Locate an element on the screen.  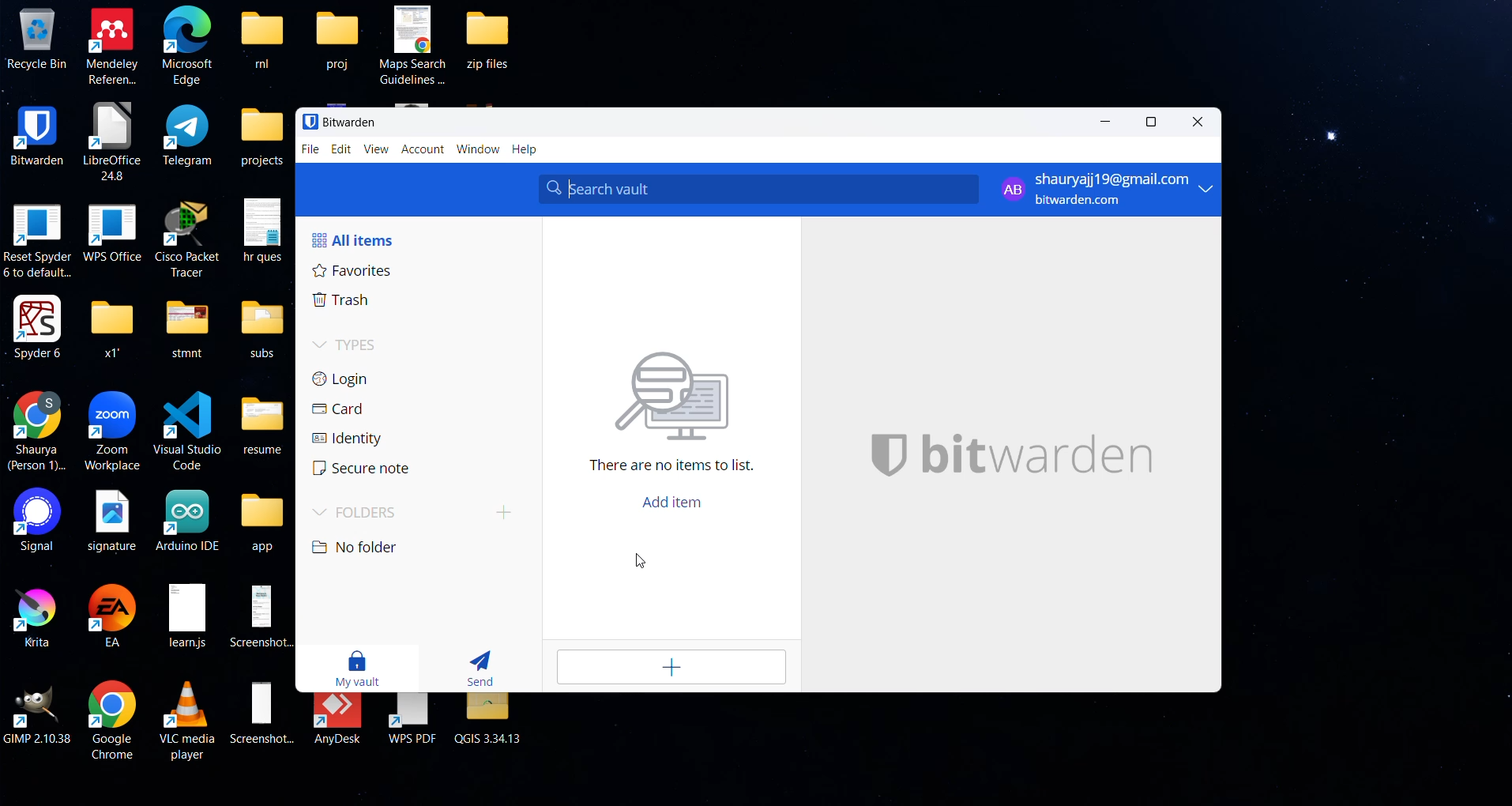
Mendeley Referen... is located at coordinates (113, 45).